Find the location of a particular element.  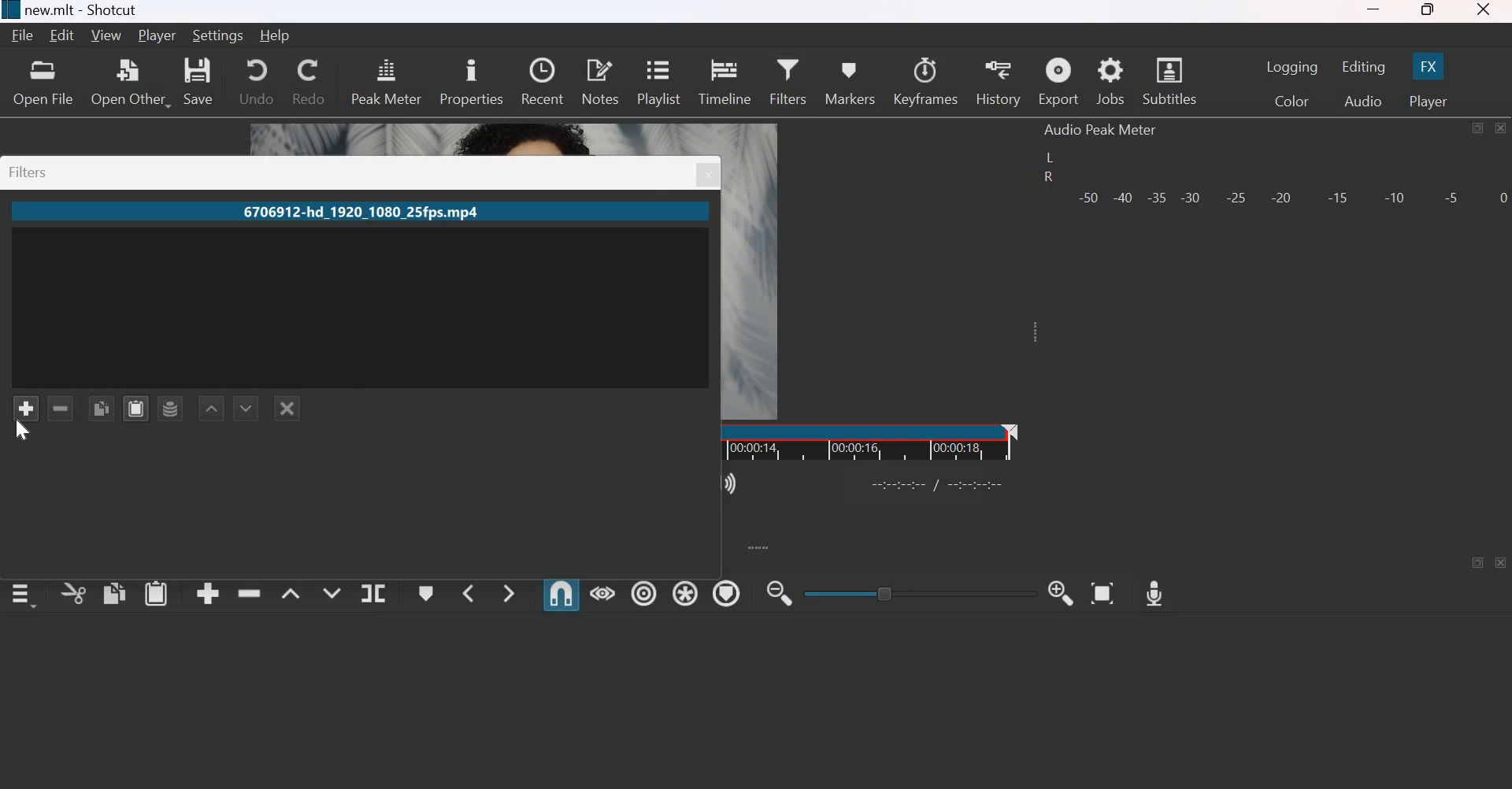

maximize is located at coordinates (1480, 562).